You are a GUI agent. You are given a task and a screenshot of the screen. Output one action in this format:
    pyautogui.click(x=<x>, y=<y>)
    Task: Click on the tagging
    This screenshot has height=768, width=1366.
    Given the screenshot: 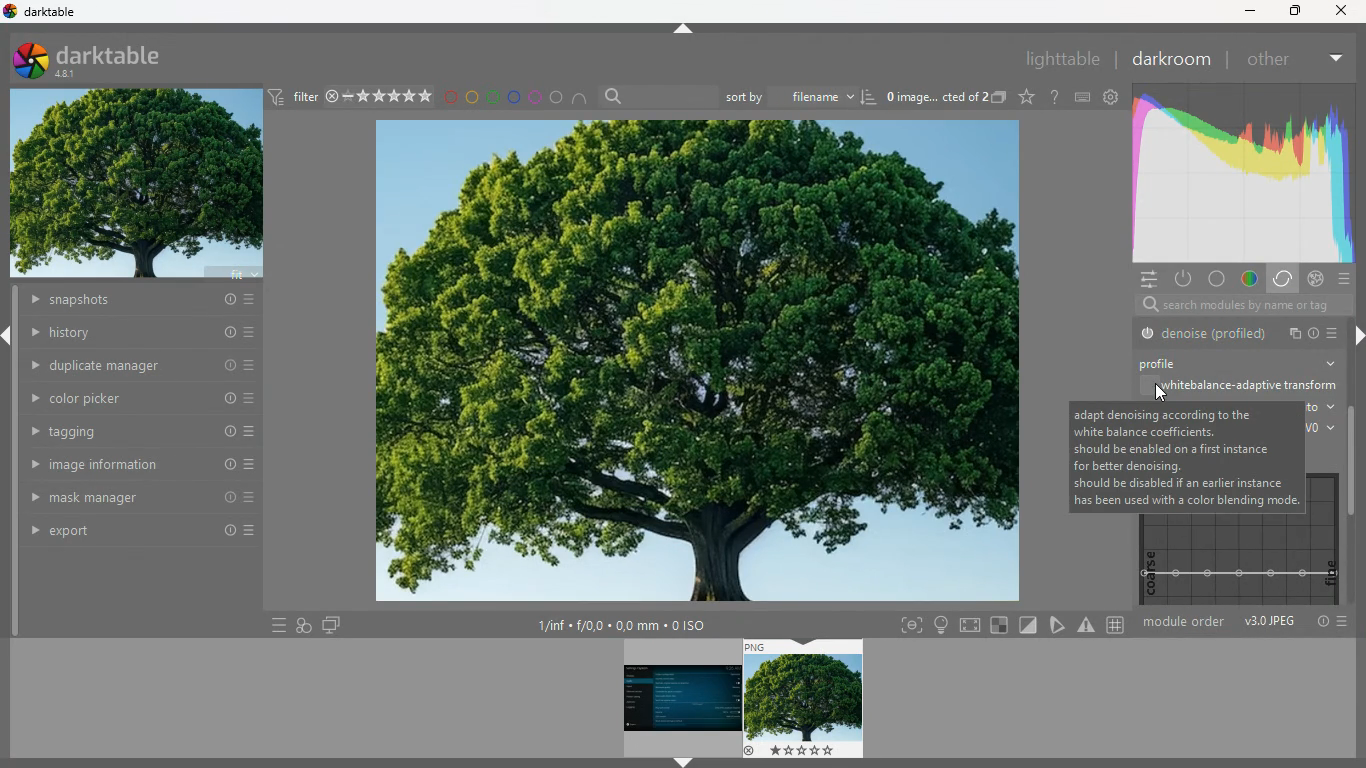 What is the action you would take?
    pyautogui.click(x=133, y=431)
    